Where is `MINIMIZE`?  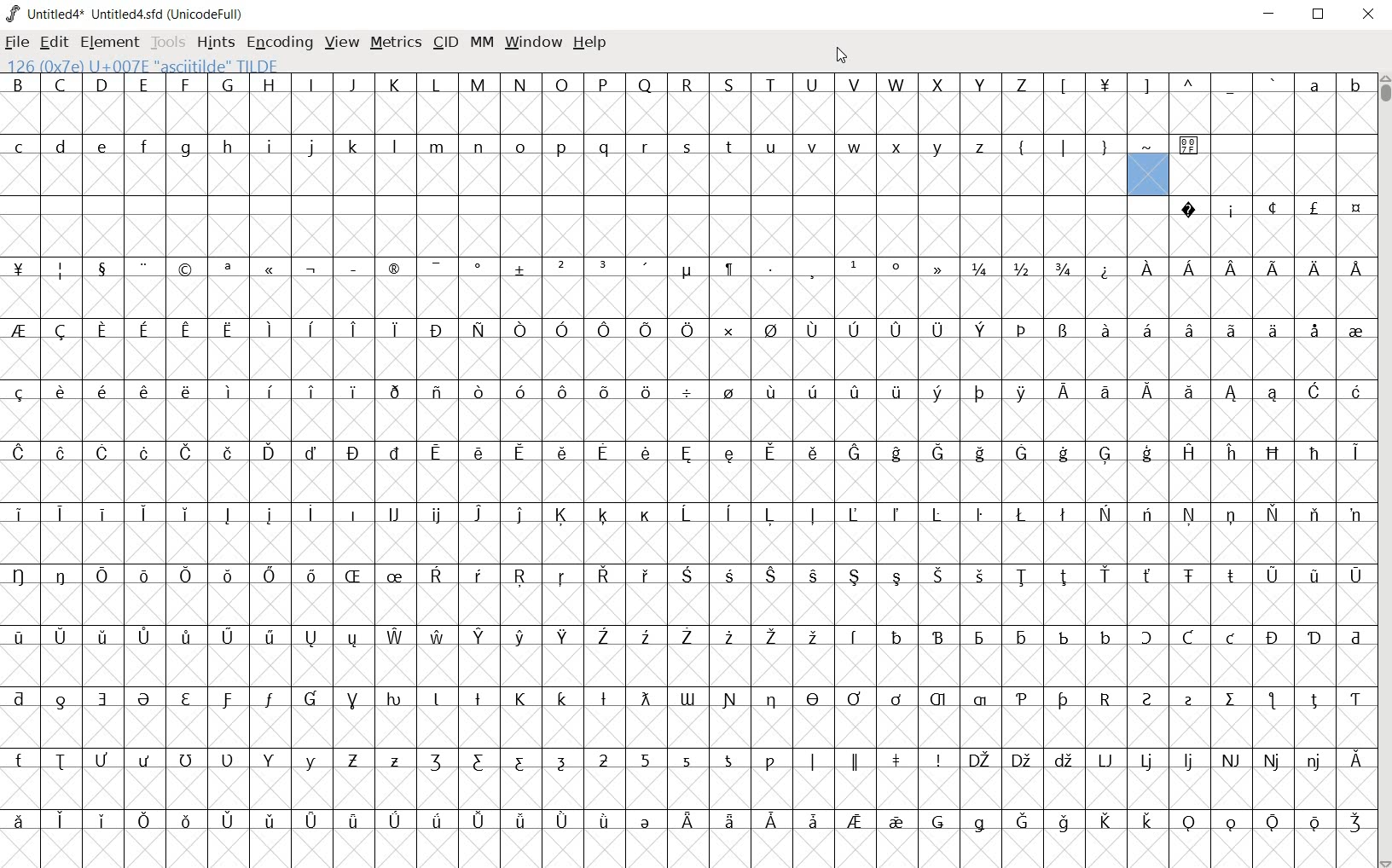
MINIMIZE is located at coordinates (1272, 16).